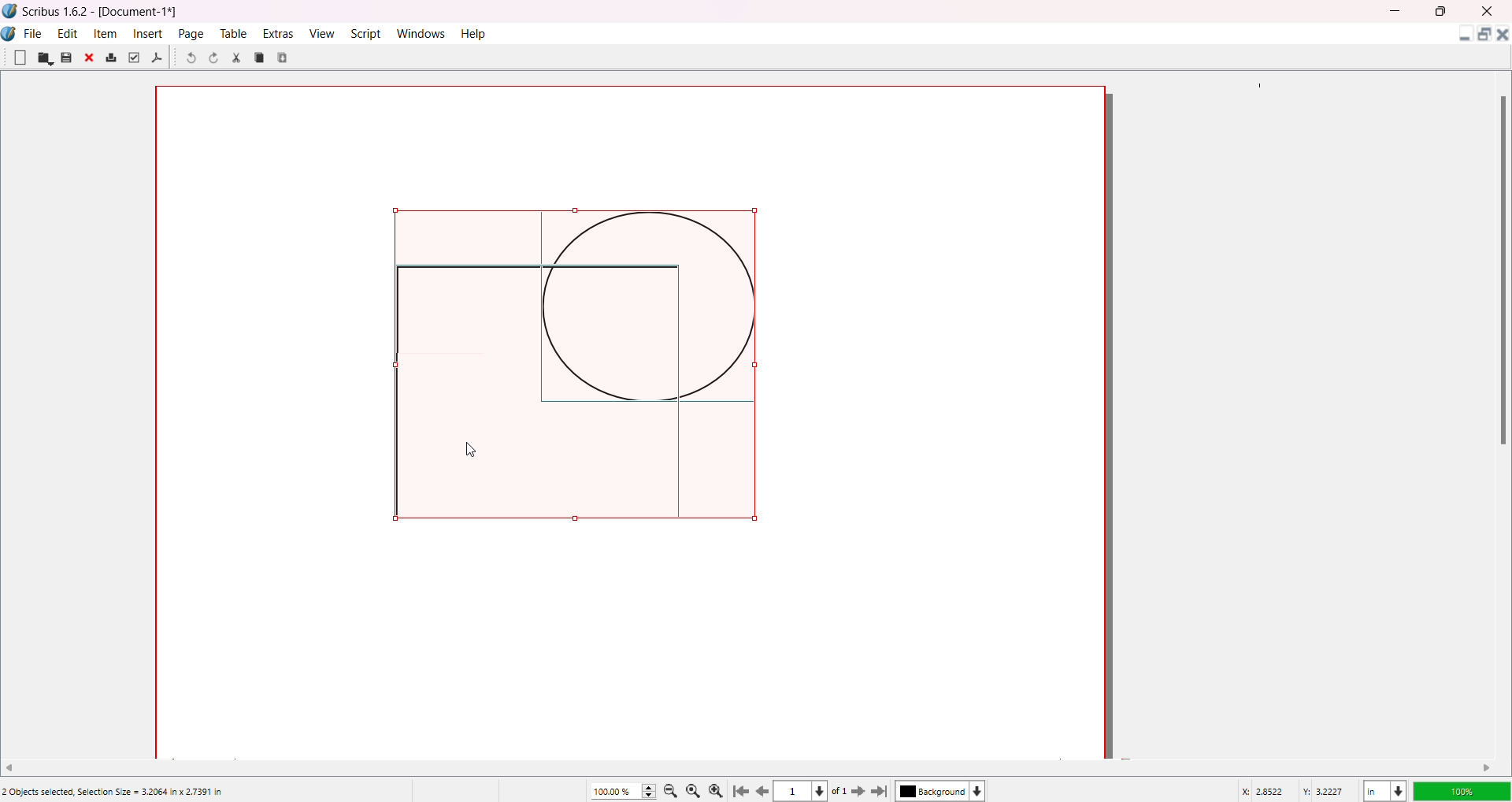 This screenshot has width=1512, height=802. I want to click on Copy, so click(260, 57).